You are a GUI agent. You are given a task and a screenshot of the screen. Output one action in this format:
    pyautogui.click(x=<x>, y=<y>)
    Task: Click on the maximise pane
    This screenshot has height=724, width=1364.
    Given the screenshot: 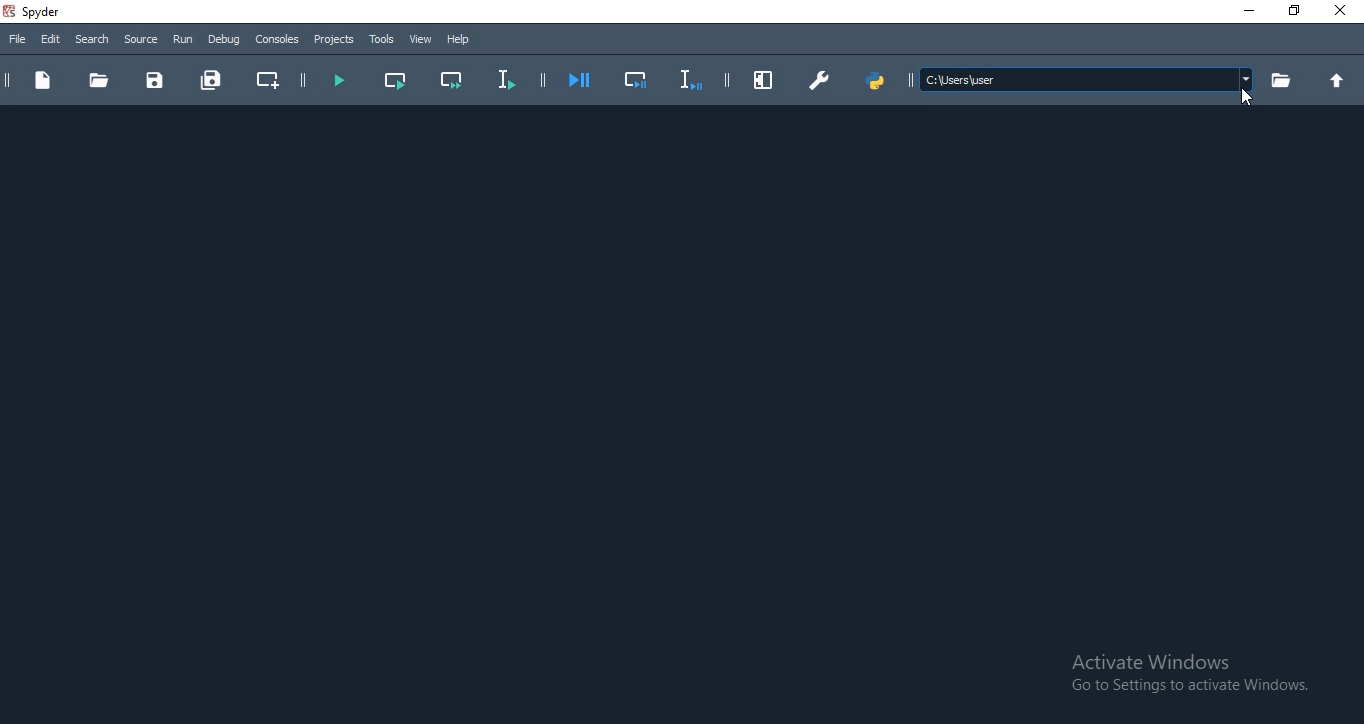 What is the action you would take?
    pyautogui.click(x=765, y=80)
    